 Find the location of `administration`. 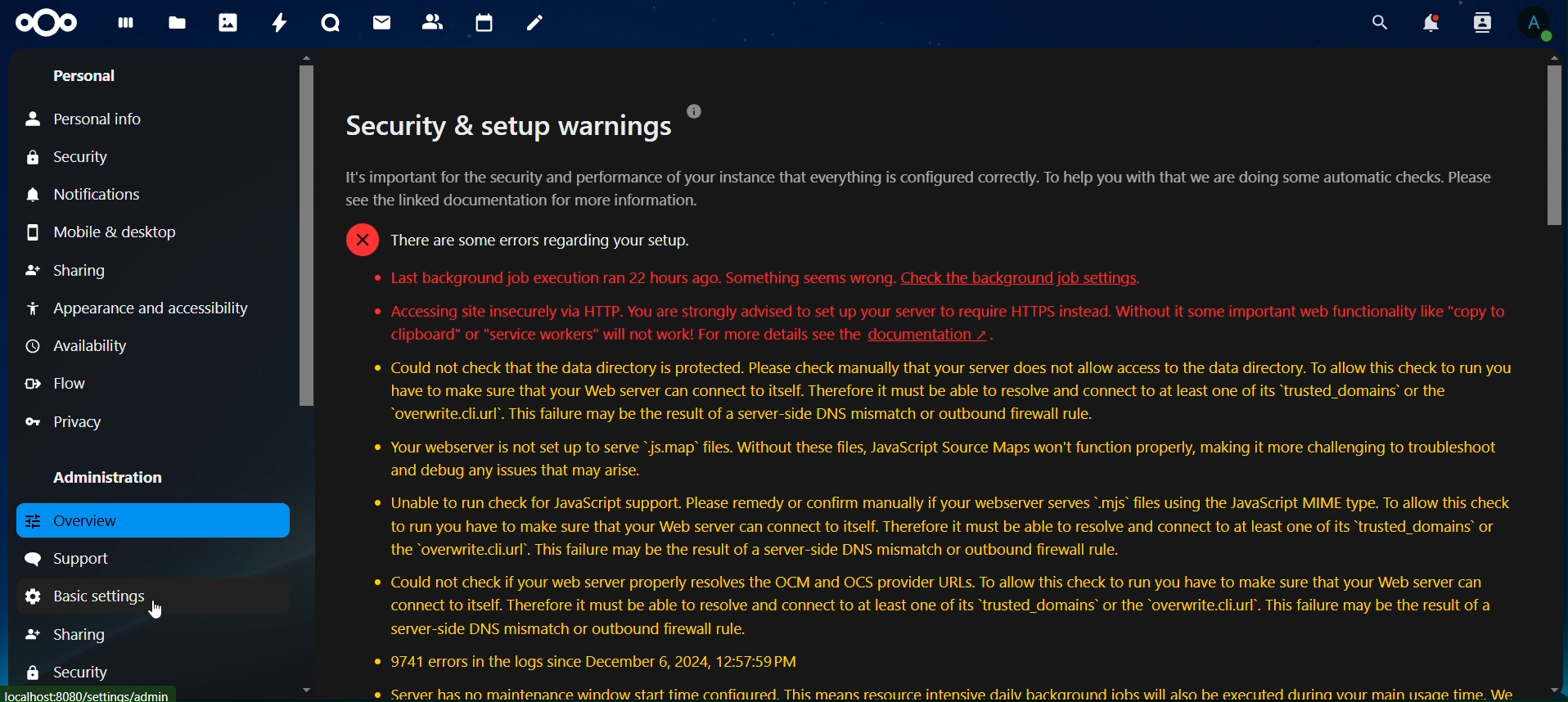

administration is located at coordinates (120, 479).